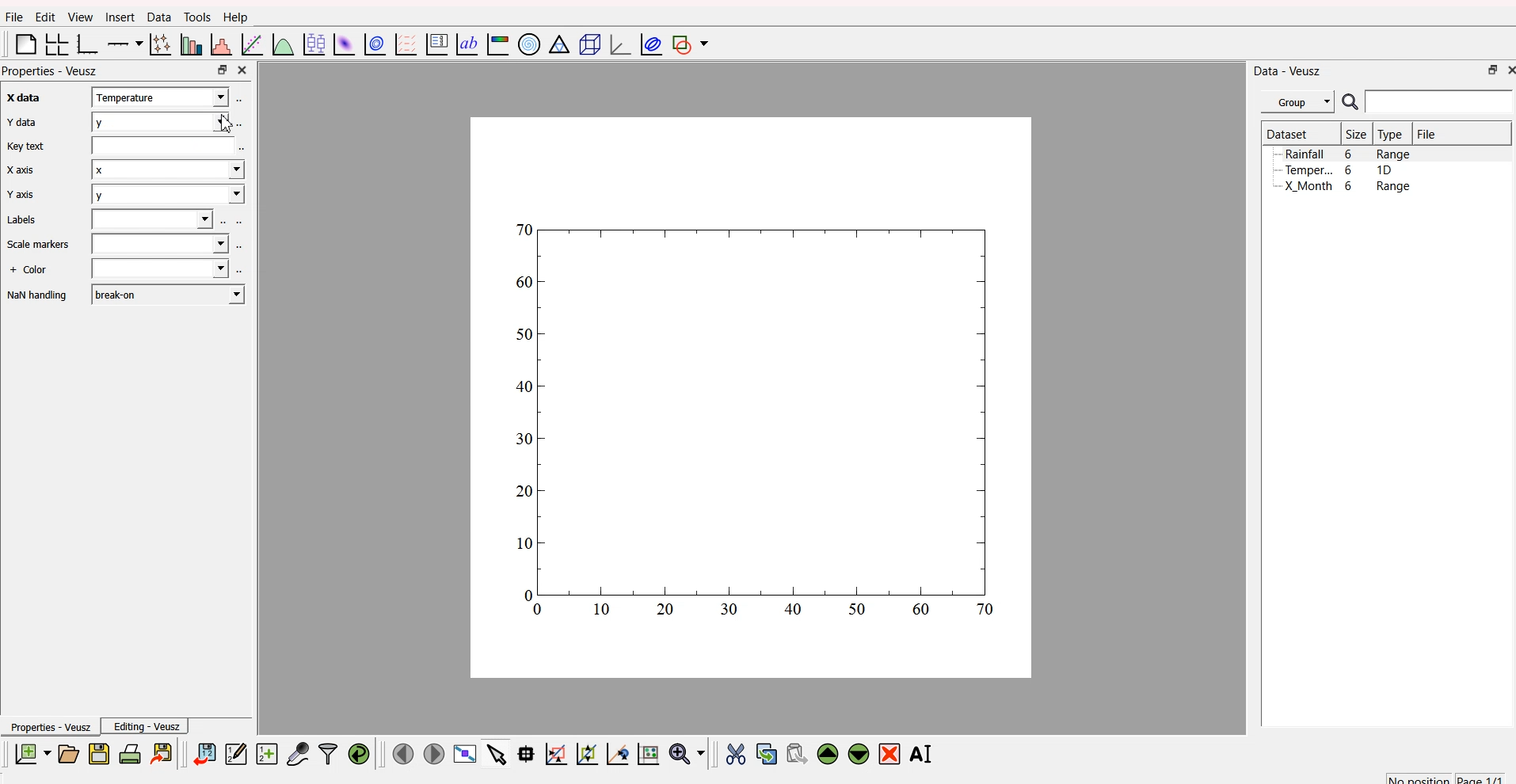 The width and height of the screenshot is (1516, 784). What do you see at coordinates (236, 752) in the screenshot?
I see `editor` at bounding box center [236, 752].